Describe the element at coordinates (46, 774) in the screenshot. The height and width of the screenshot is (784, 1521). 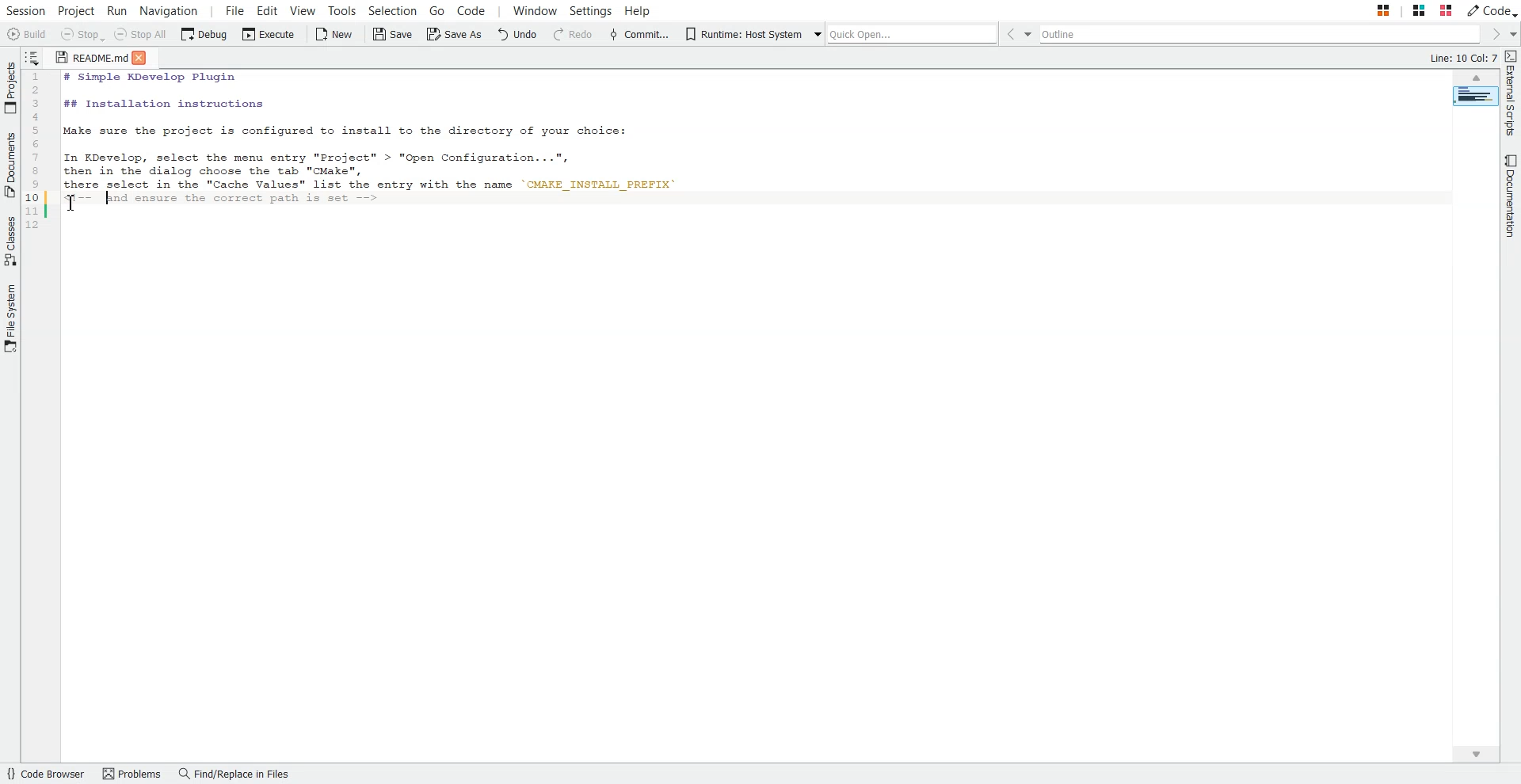
I see `Code Browser` at that location.